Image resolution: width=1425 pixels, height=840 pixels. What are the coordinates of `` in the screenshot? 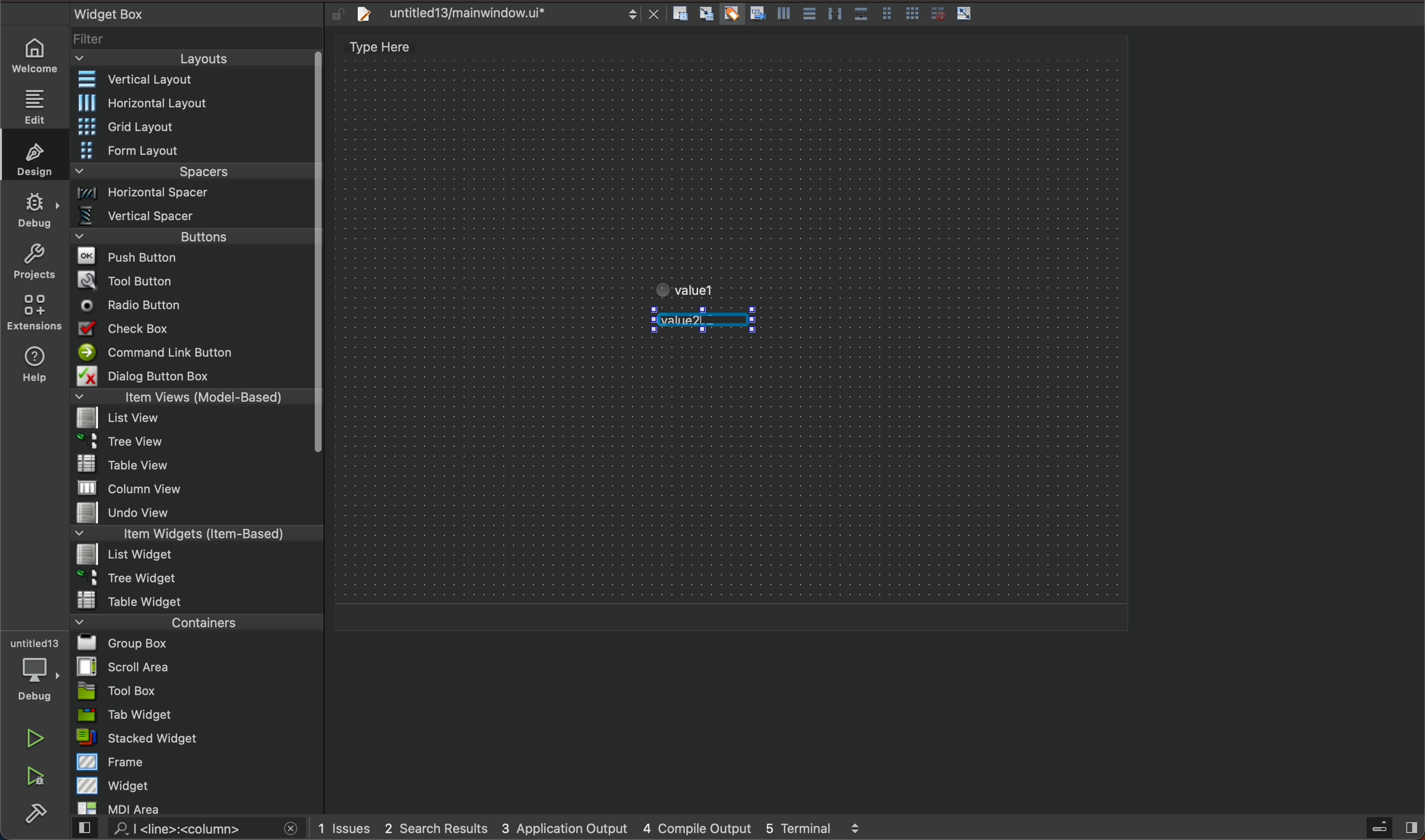 It's located at (913, 15).